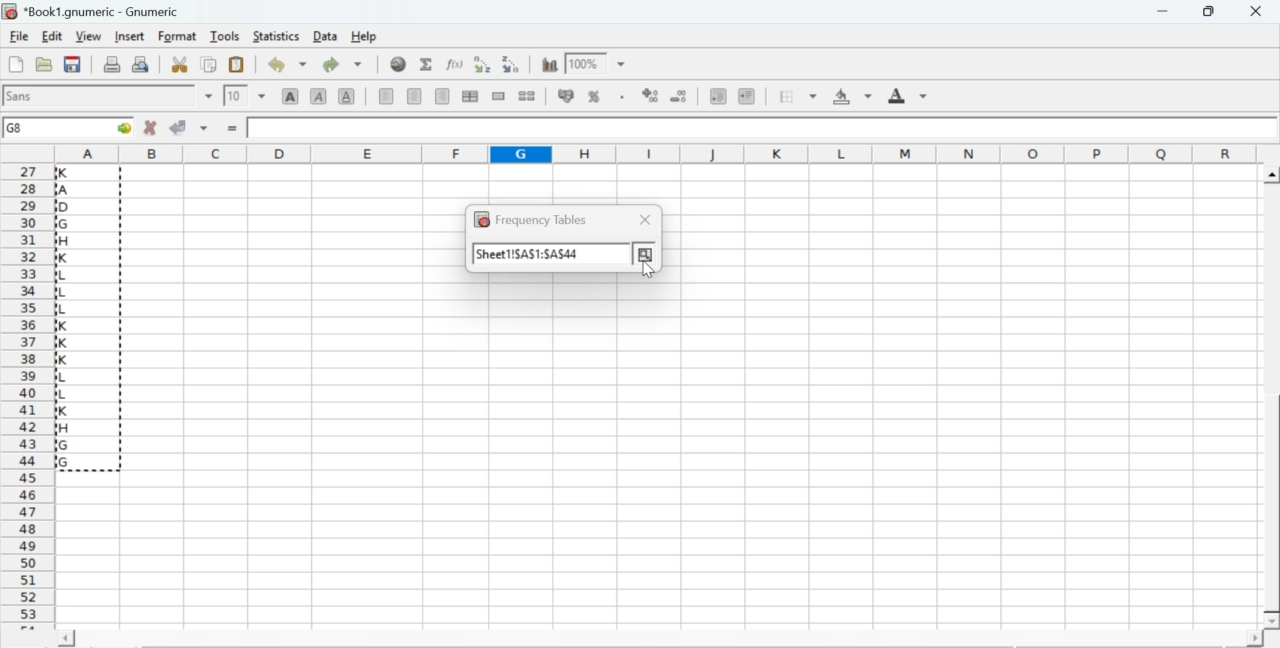  What do you see at coordinates (235, 96) in the screenshot?
I see `10` at bounding box center [235, 96].